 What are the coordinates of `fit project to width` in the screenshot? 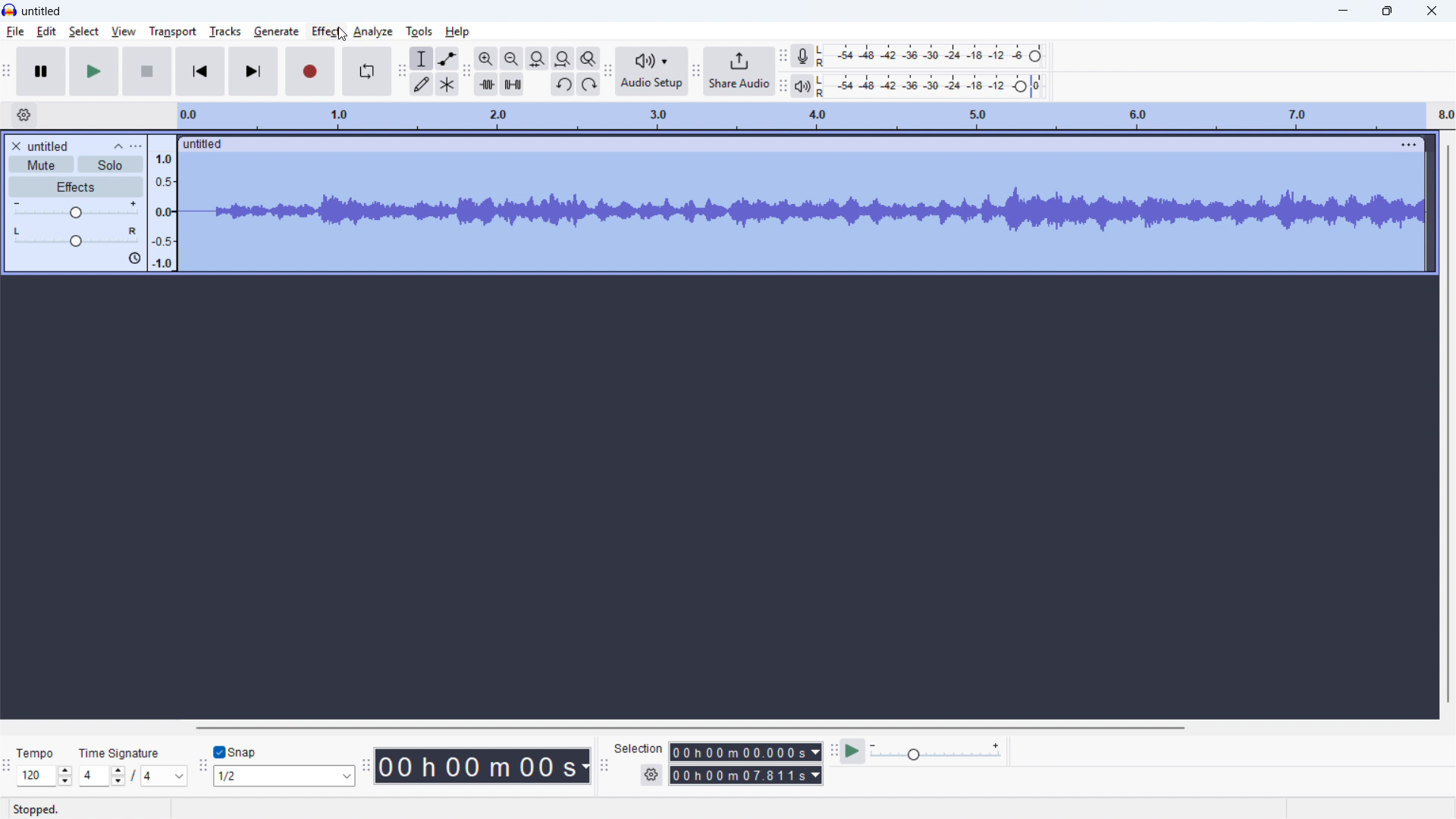 It's located at (562, 58).